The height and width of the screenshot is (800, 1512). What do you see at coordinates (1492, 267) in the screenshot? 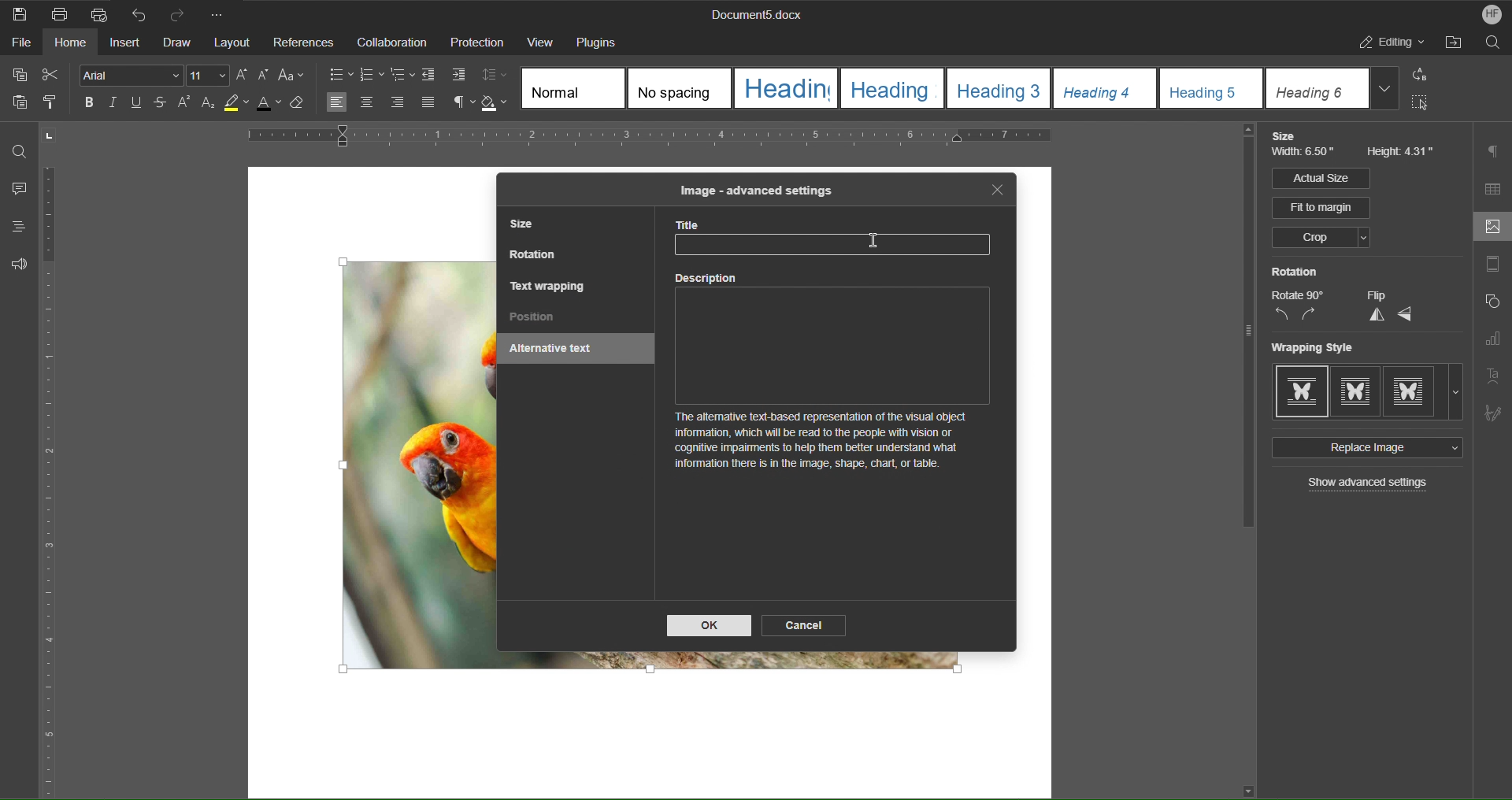
I see `Header/Footer` at bounding box center [1492, 267].